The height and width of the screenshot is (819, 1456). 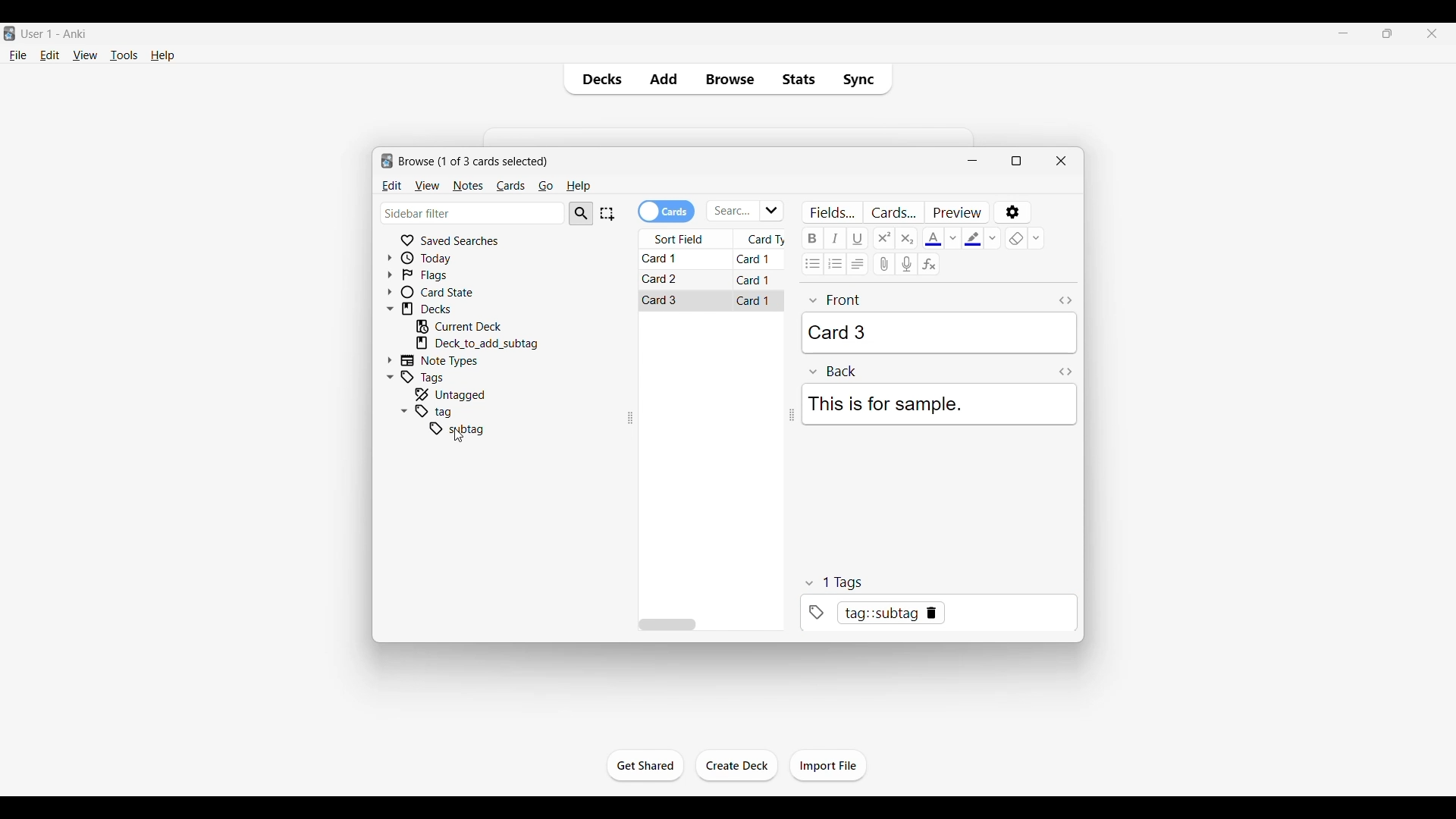 I want to click on Toggle HTML editor, so click(x=1065, y=372).